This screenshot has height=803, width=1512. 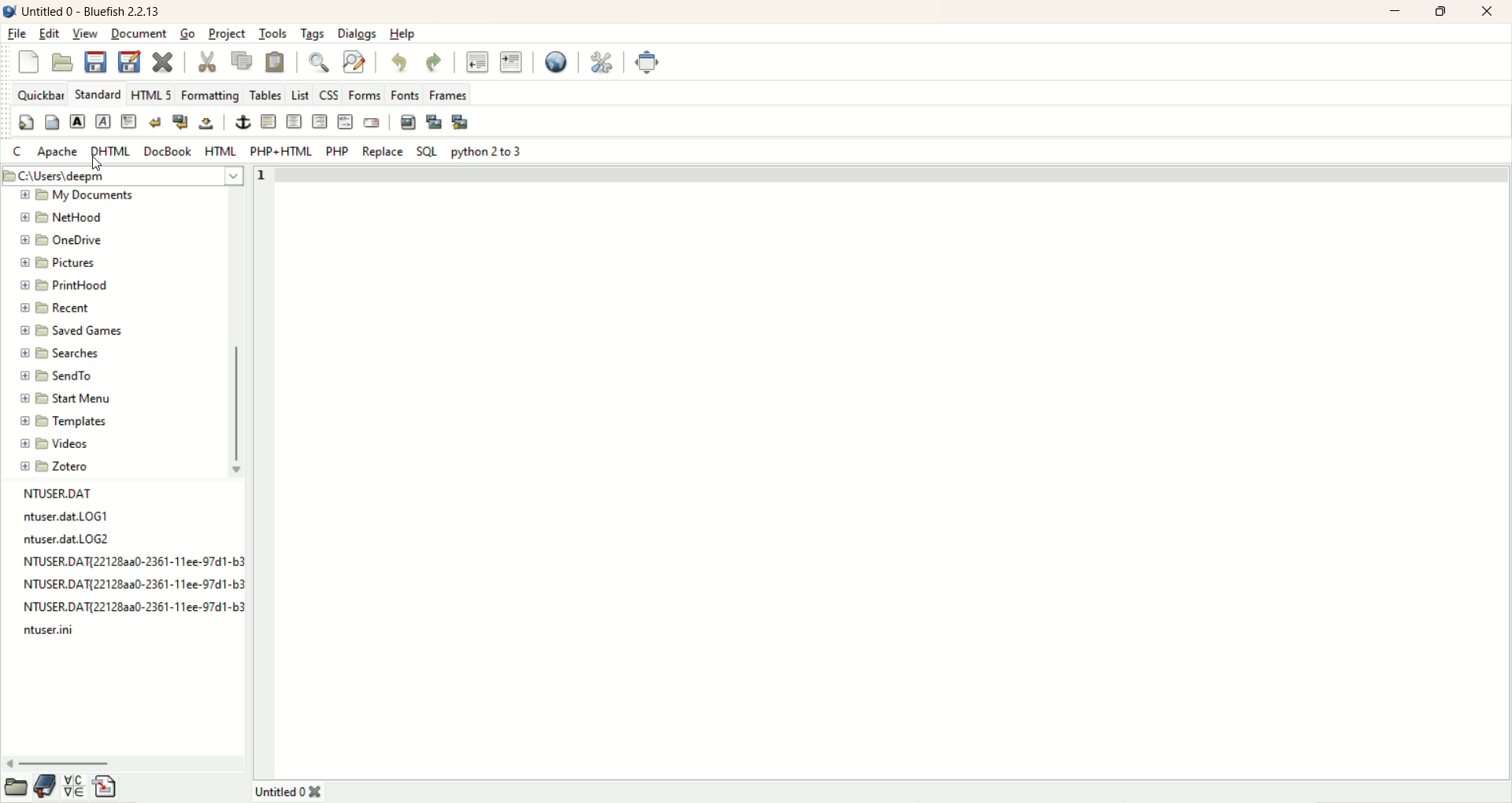 I want to click on DHTML, so click(x=111, y=152).